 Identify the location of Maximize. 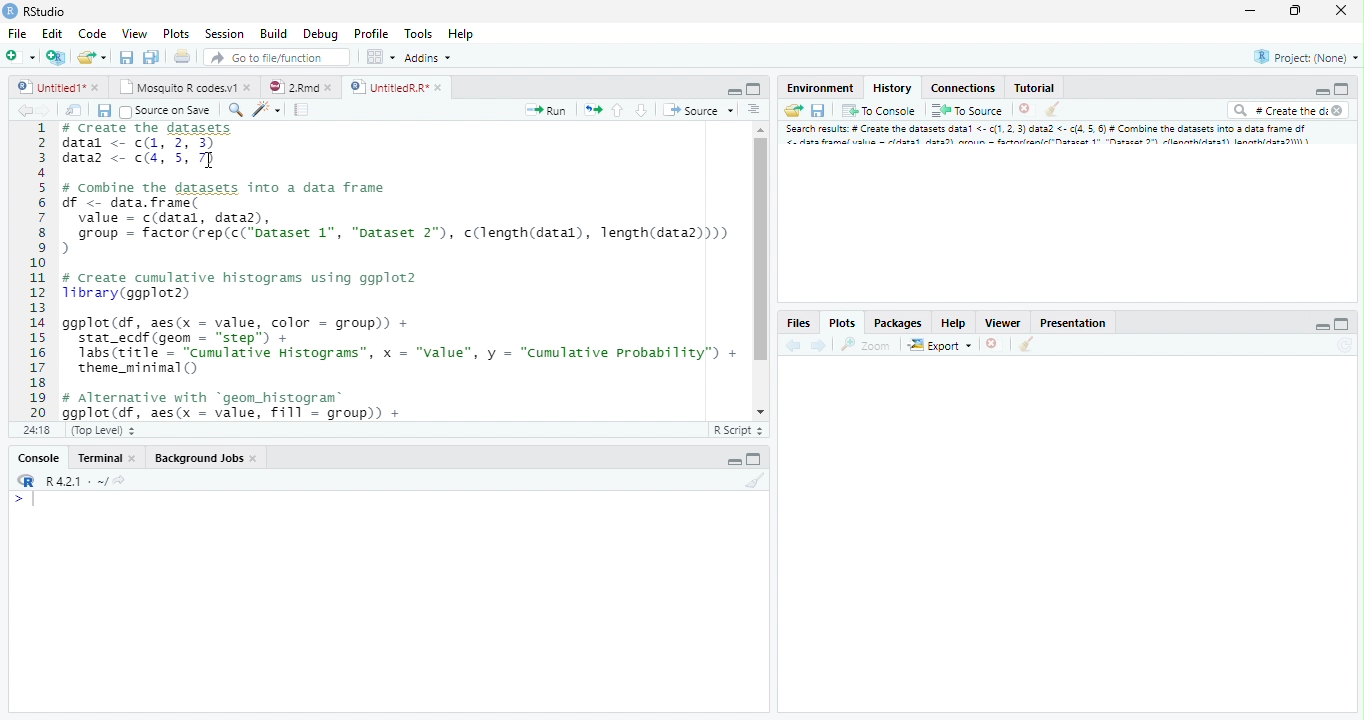
(757, 460).